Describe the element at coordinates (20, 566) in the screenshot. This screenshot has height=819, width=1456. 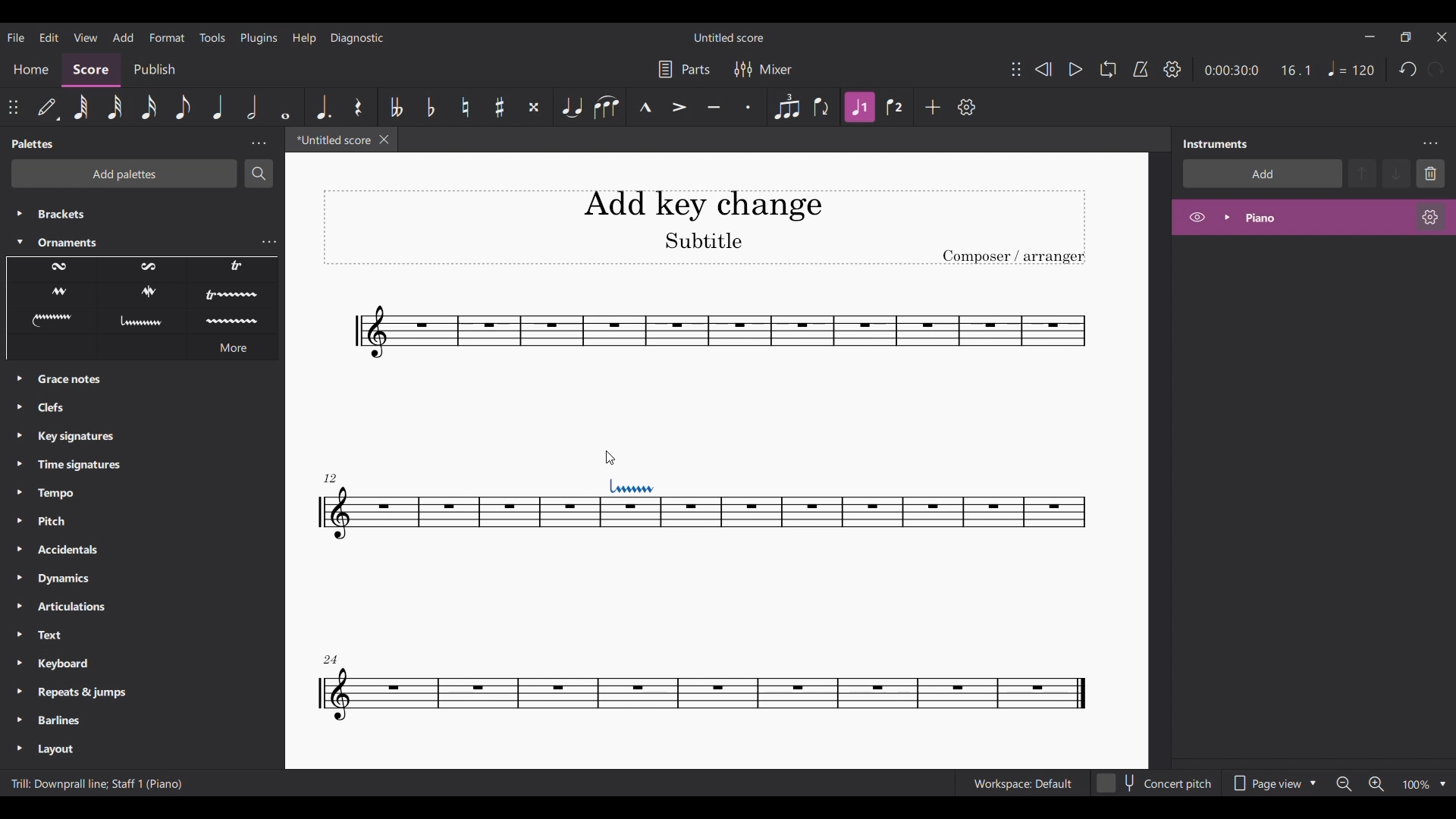
I see `Expand palettes` at that location.